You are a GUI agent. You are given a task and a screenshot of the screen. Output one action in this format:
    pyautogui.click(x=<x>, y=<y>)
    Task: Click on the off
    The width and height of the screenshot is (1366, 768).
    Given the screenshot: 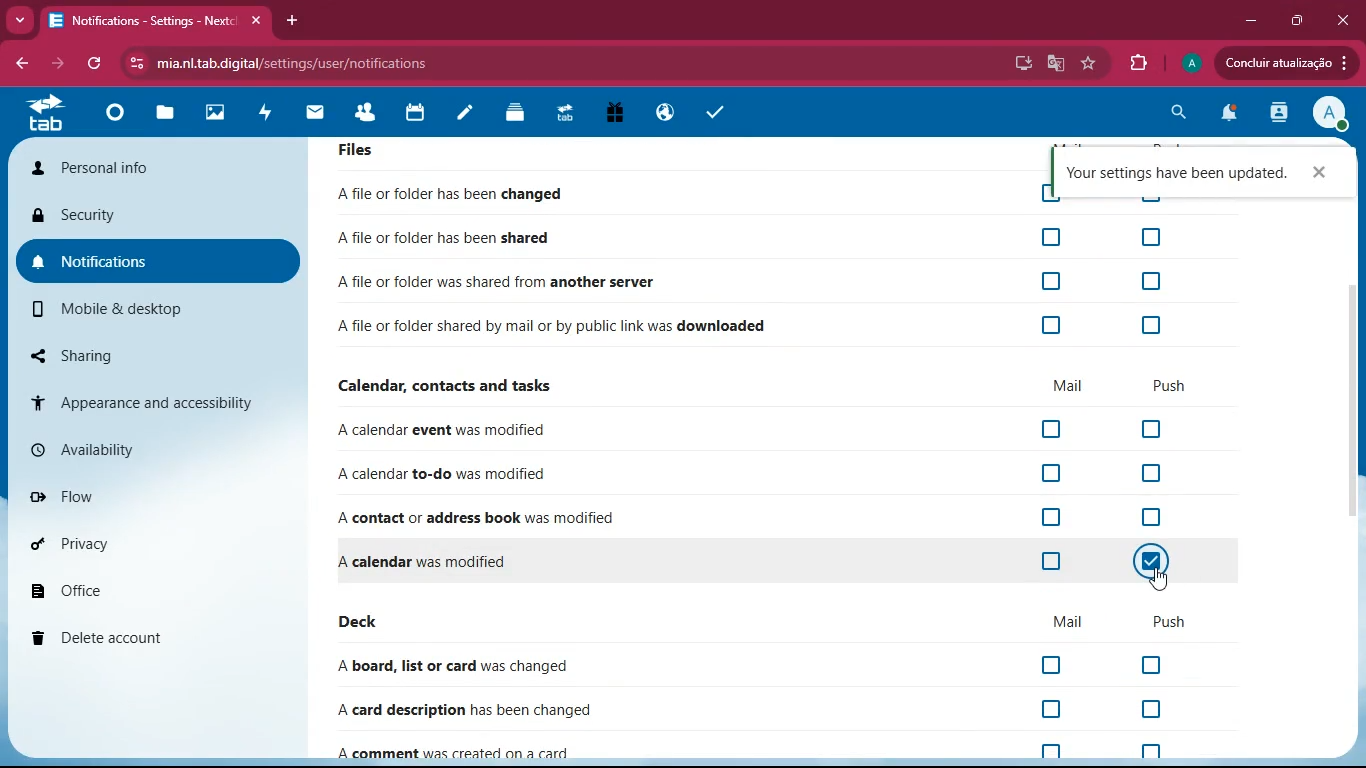 What is the action you would take?
    pyautogui.click(x=1046, y=710)
    